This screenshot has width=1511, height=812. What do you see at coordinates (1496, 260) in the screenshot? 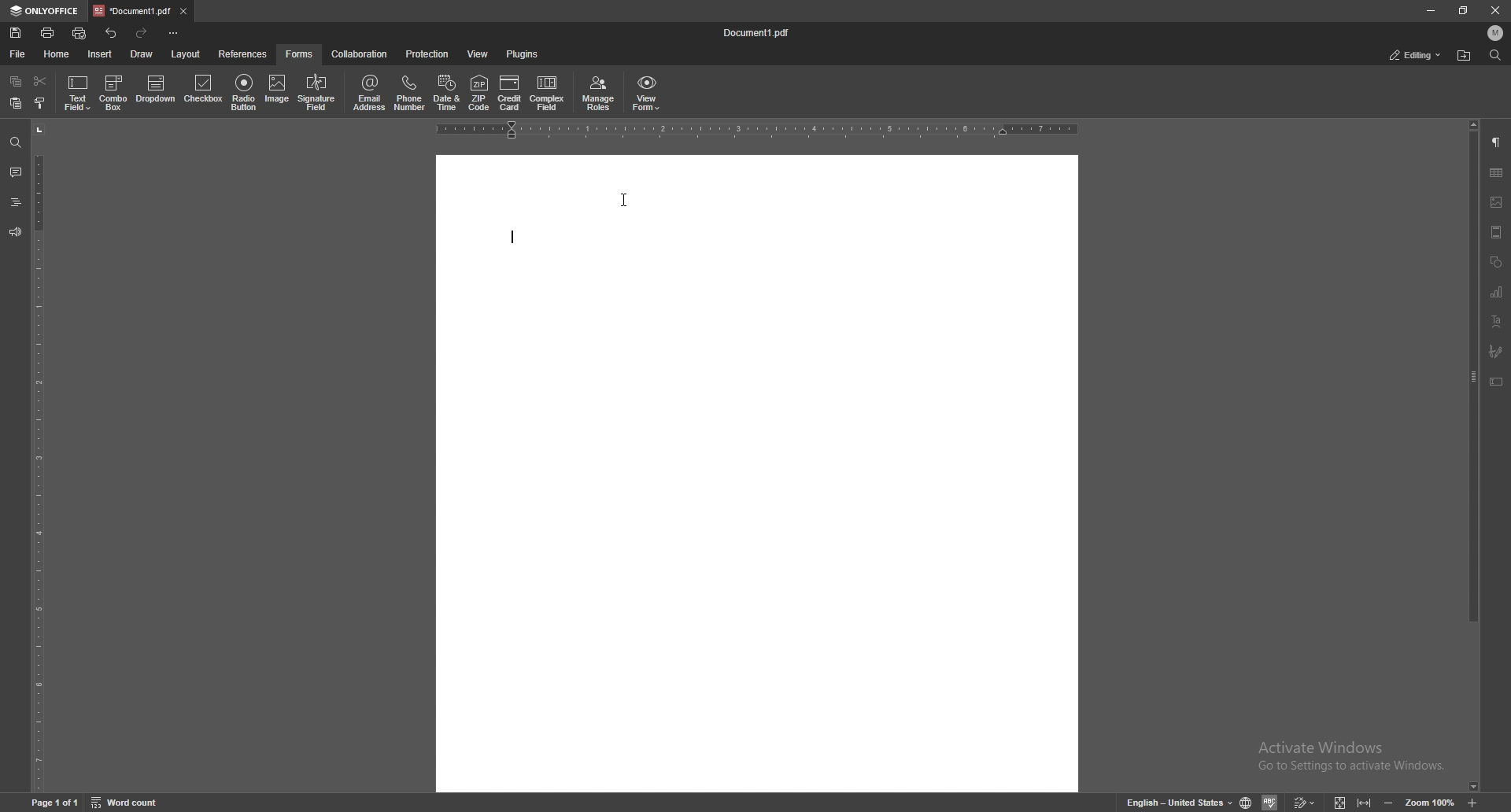
I see `shapes` at bounding box center [1496, 260].